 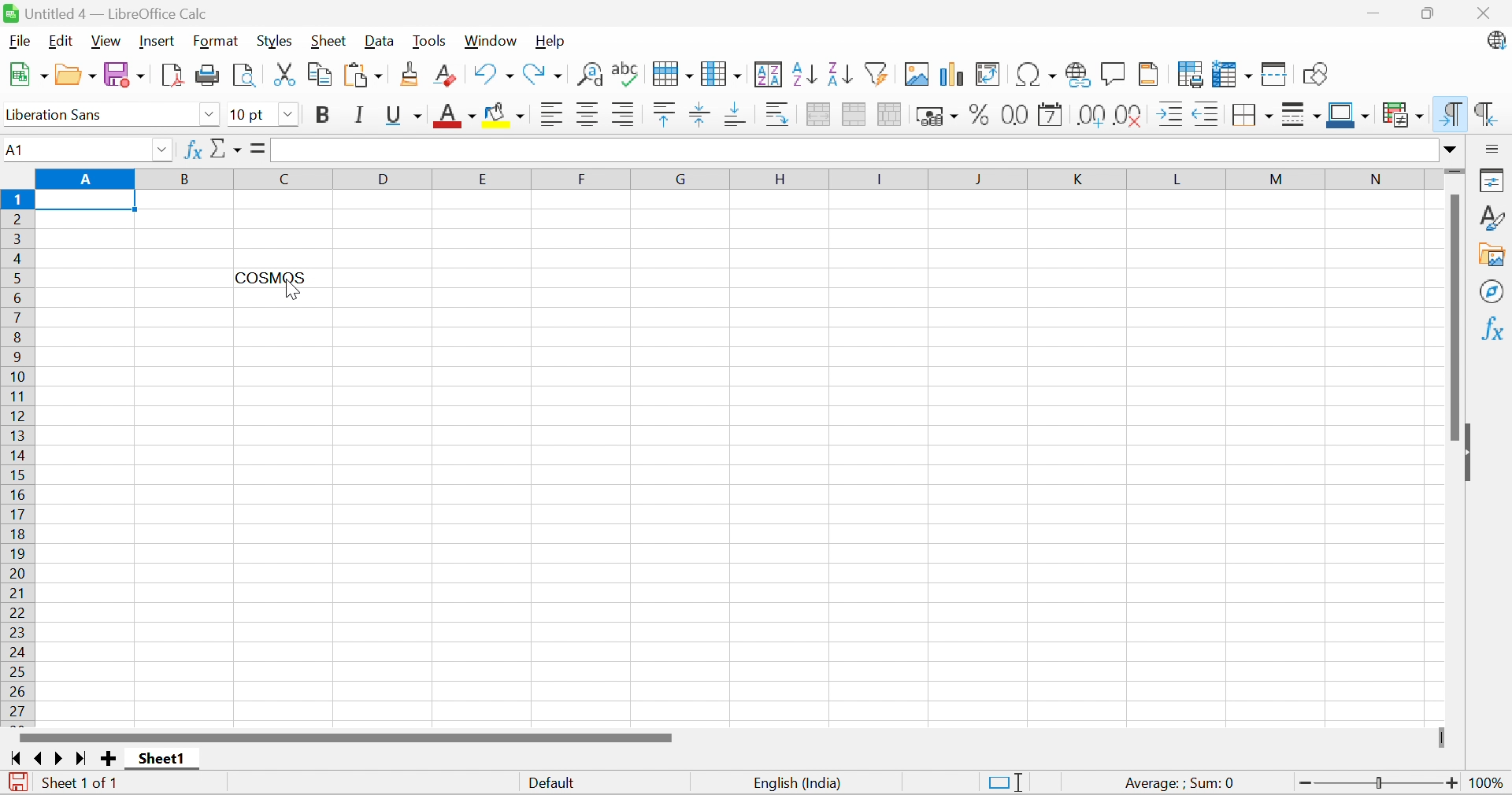 What do you see at coordinates (380, 41) in the screenshot?
I see `Data` at bounding box center [380, 41].